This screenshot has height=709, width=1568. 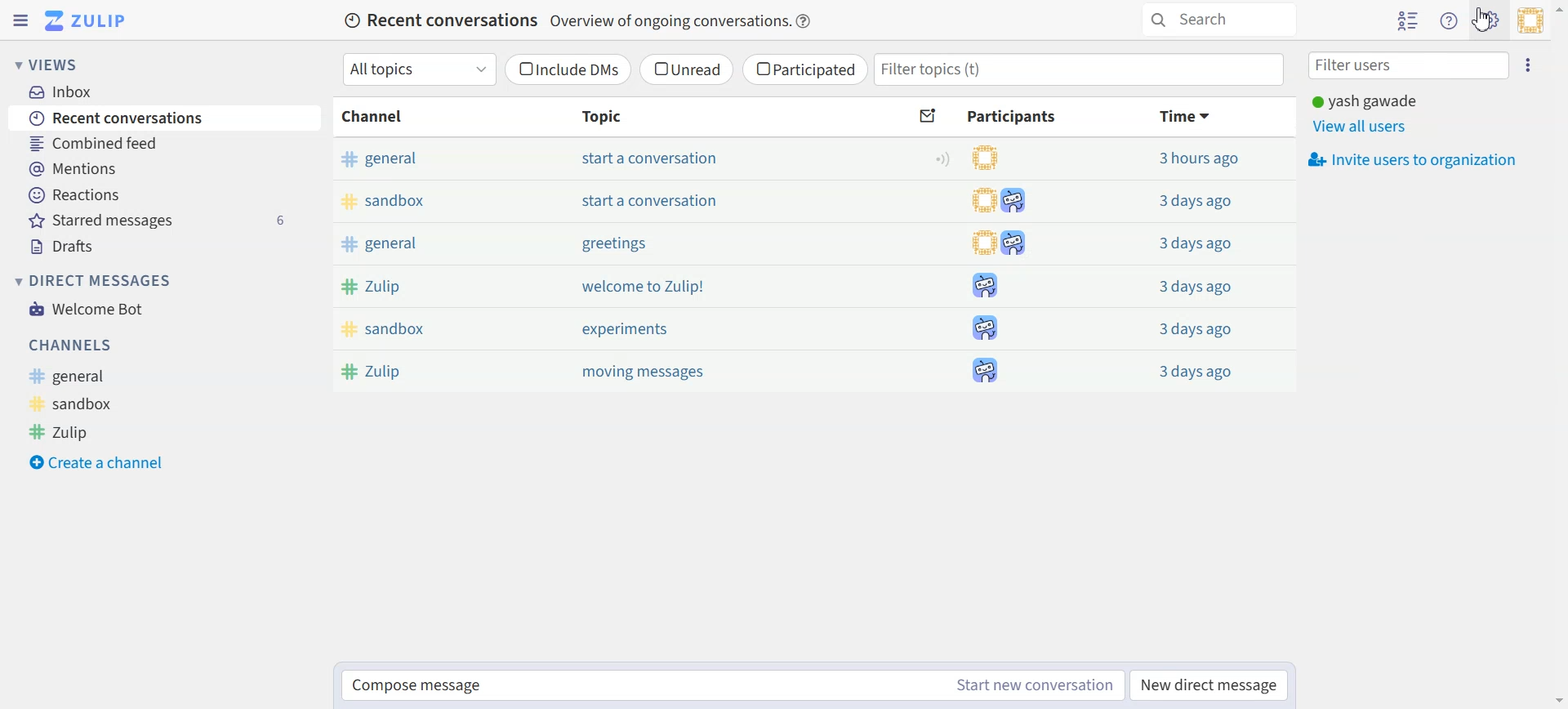 What do you see at coordinates (1192, 288) in the screenshot?
I see `3 days ago` at bounding box center [1192, 288].